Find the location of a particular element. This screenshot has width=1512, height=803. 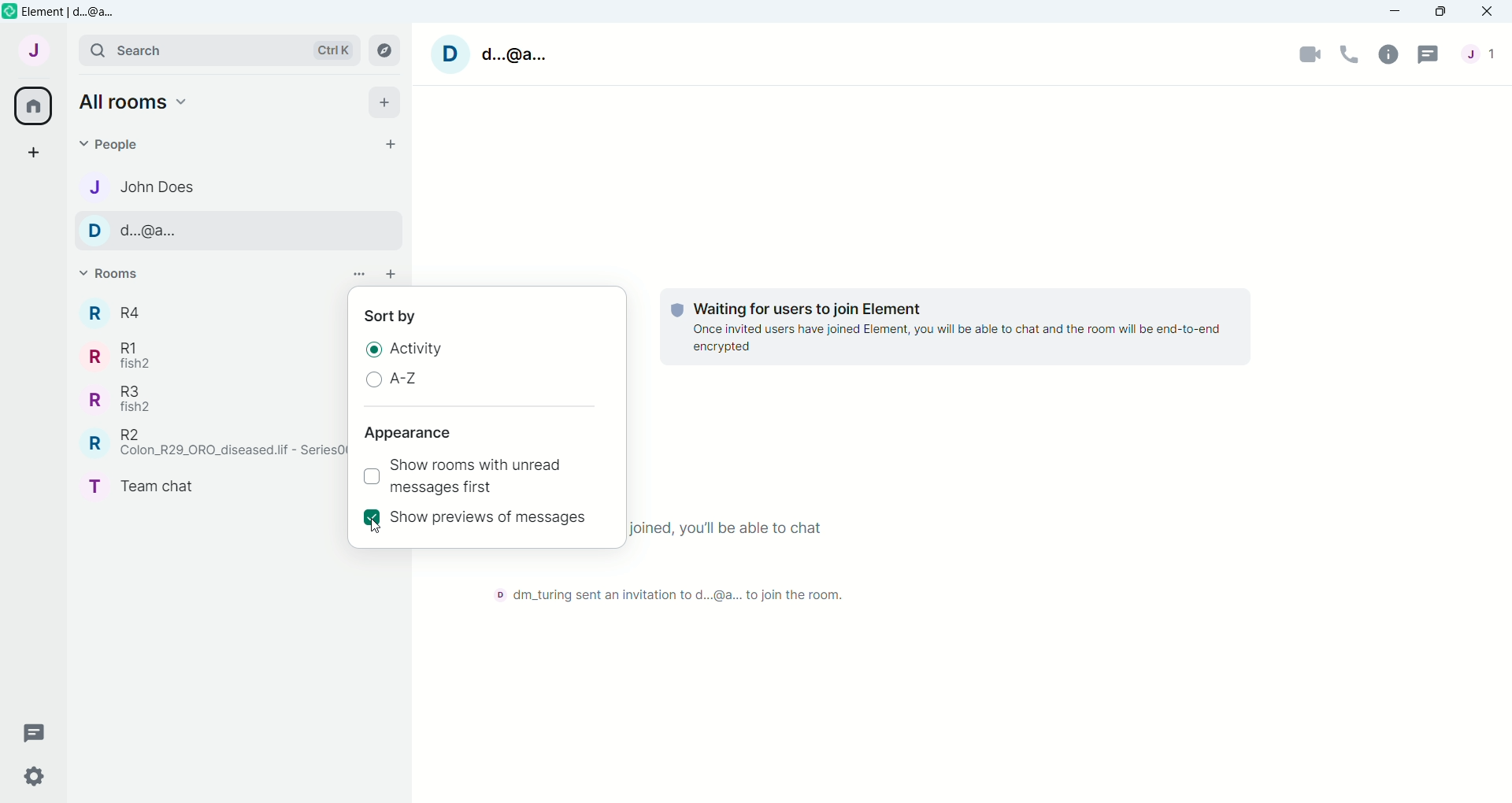

Text is located at coordinates (658, 590).